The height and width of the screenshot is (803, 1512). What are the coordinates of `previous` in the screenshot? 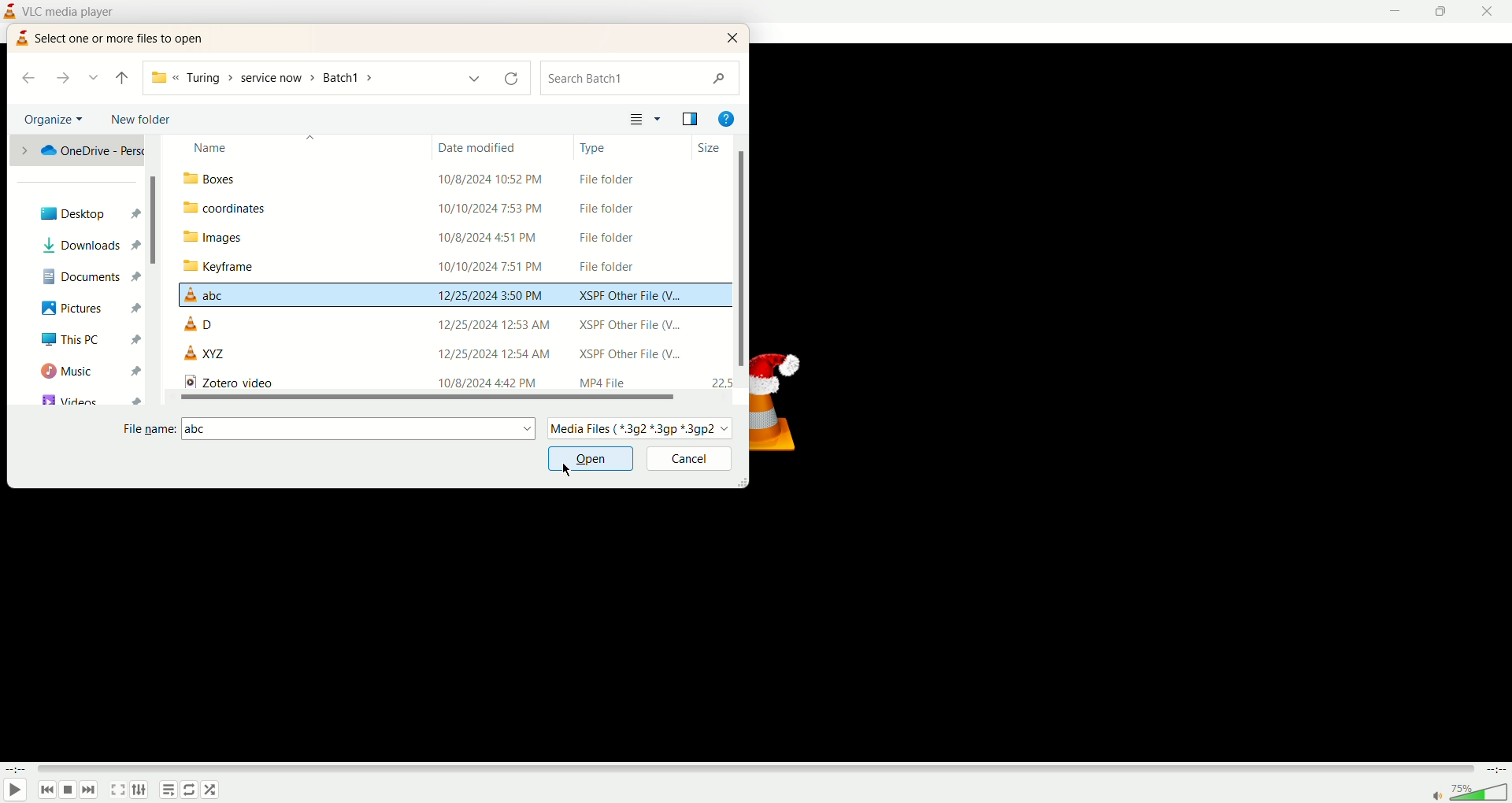 It's located at (48, 790).